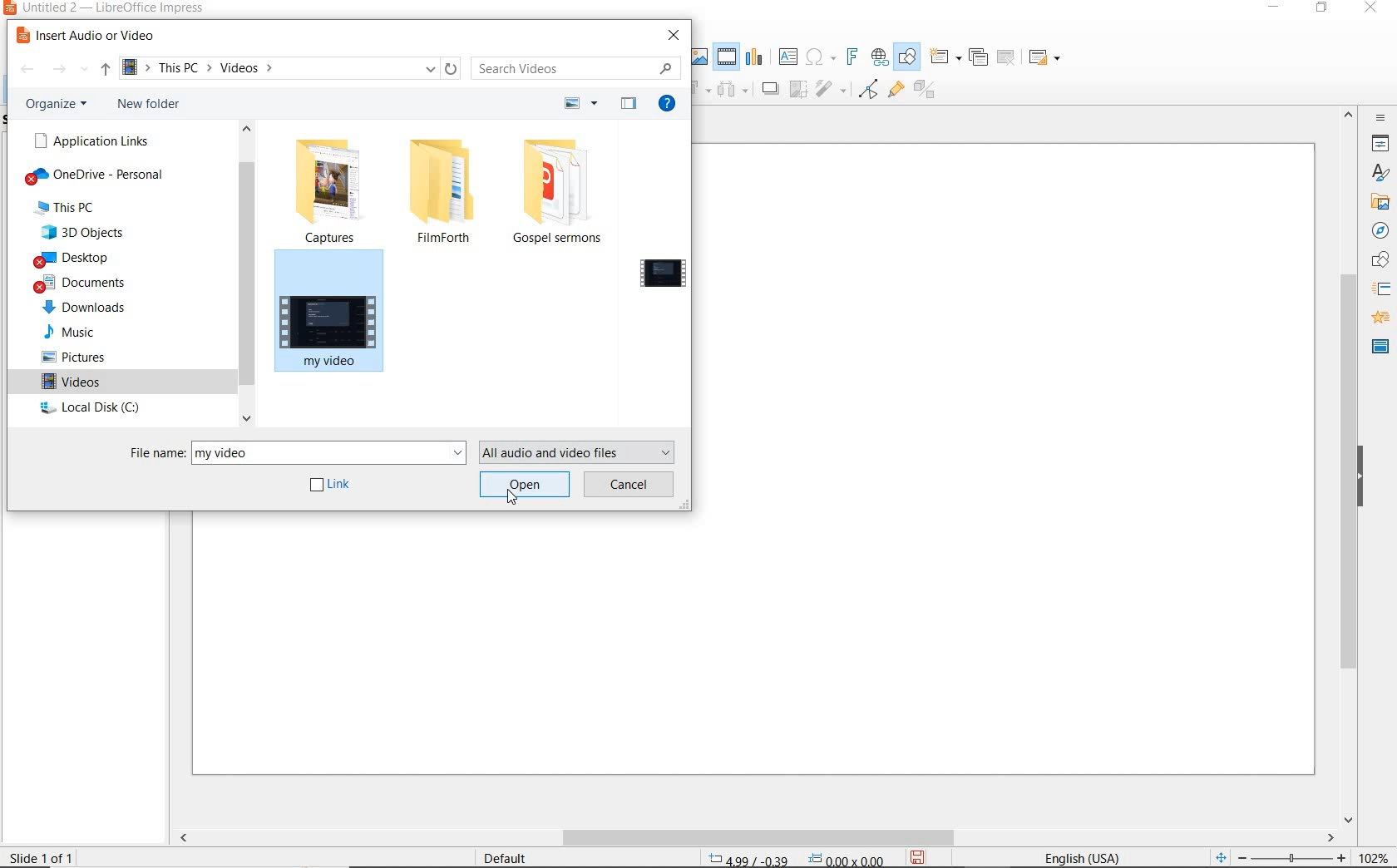 Image resolution: width=1397 pixels, height=868 pixels. Describe the element at coordinates (333, 488) in the screenshot. I see `link` at that location.